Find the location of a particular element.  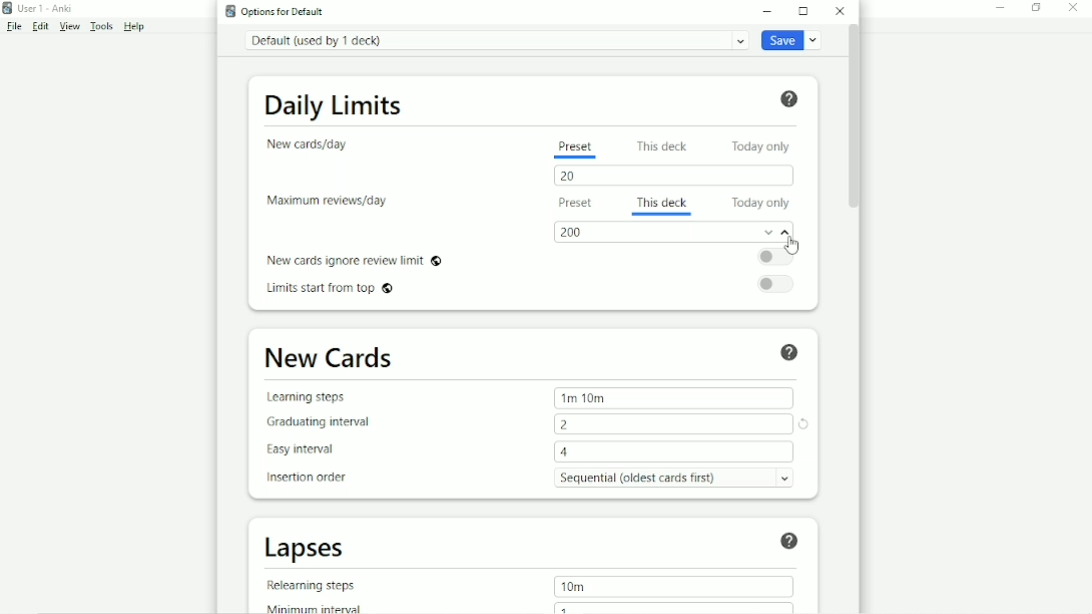

Preset is located at coordinates (574, 147).